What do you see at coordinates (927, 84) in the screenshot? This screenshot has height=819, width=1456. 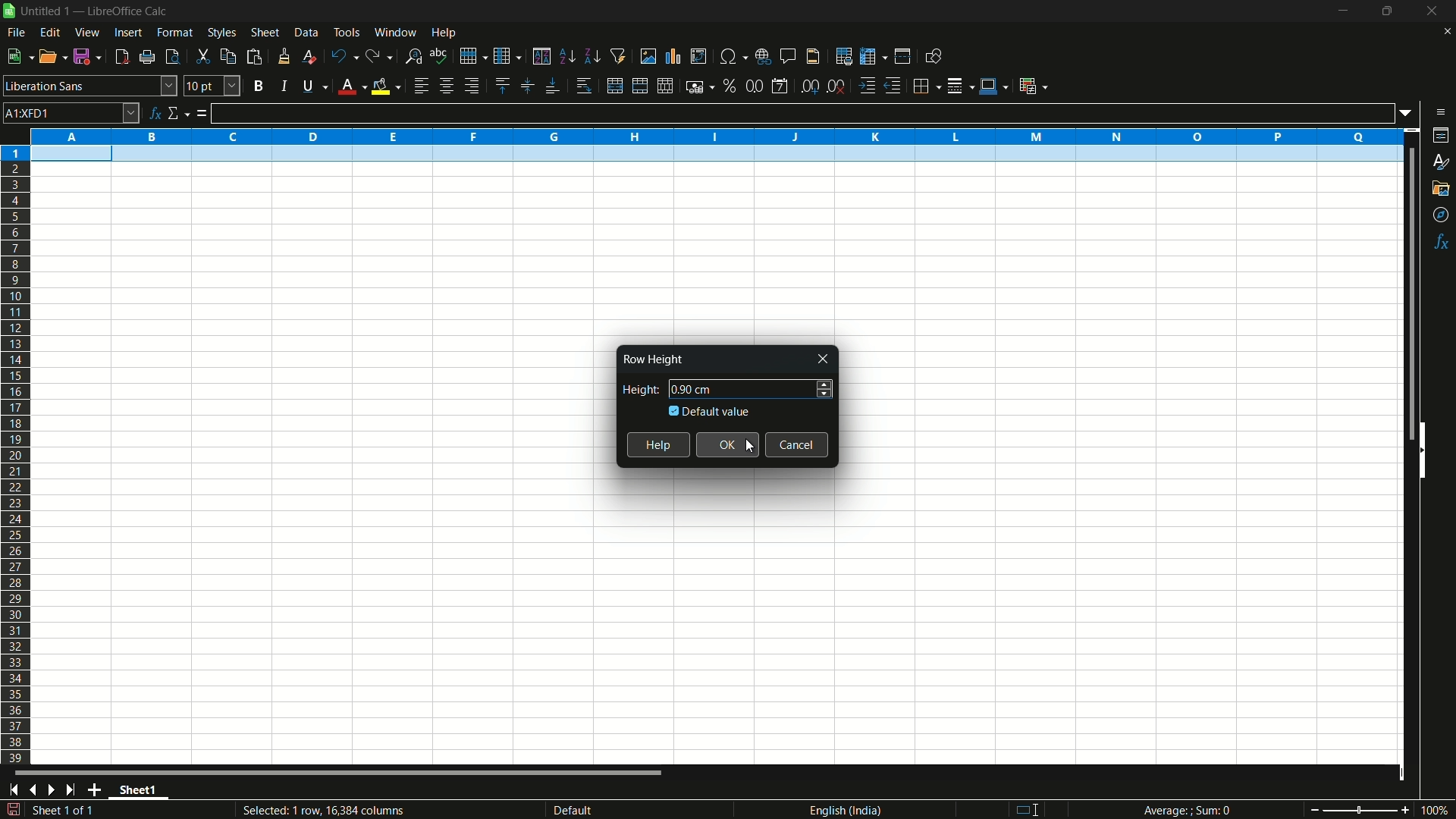 I see `borders` at bounding box center [927, 84].